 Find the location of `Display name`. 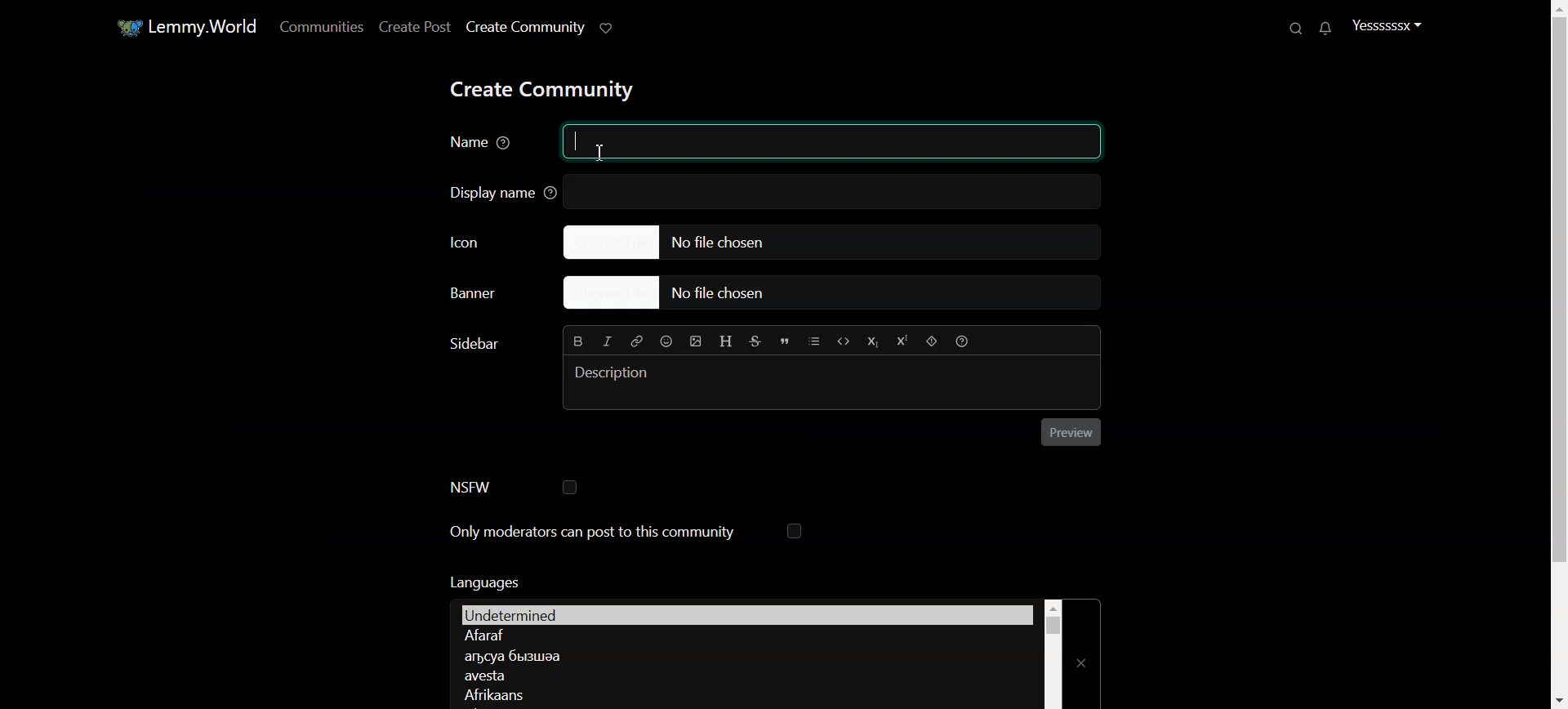

Display name is located at coordinates (496, 192).